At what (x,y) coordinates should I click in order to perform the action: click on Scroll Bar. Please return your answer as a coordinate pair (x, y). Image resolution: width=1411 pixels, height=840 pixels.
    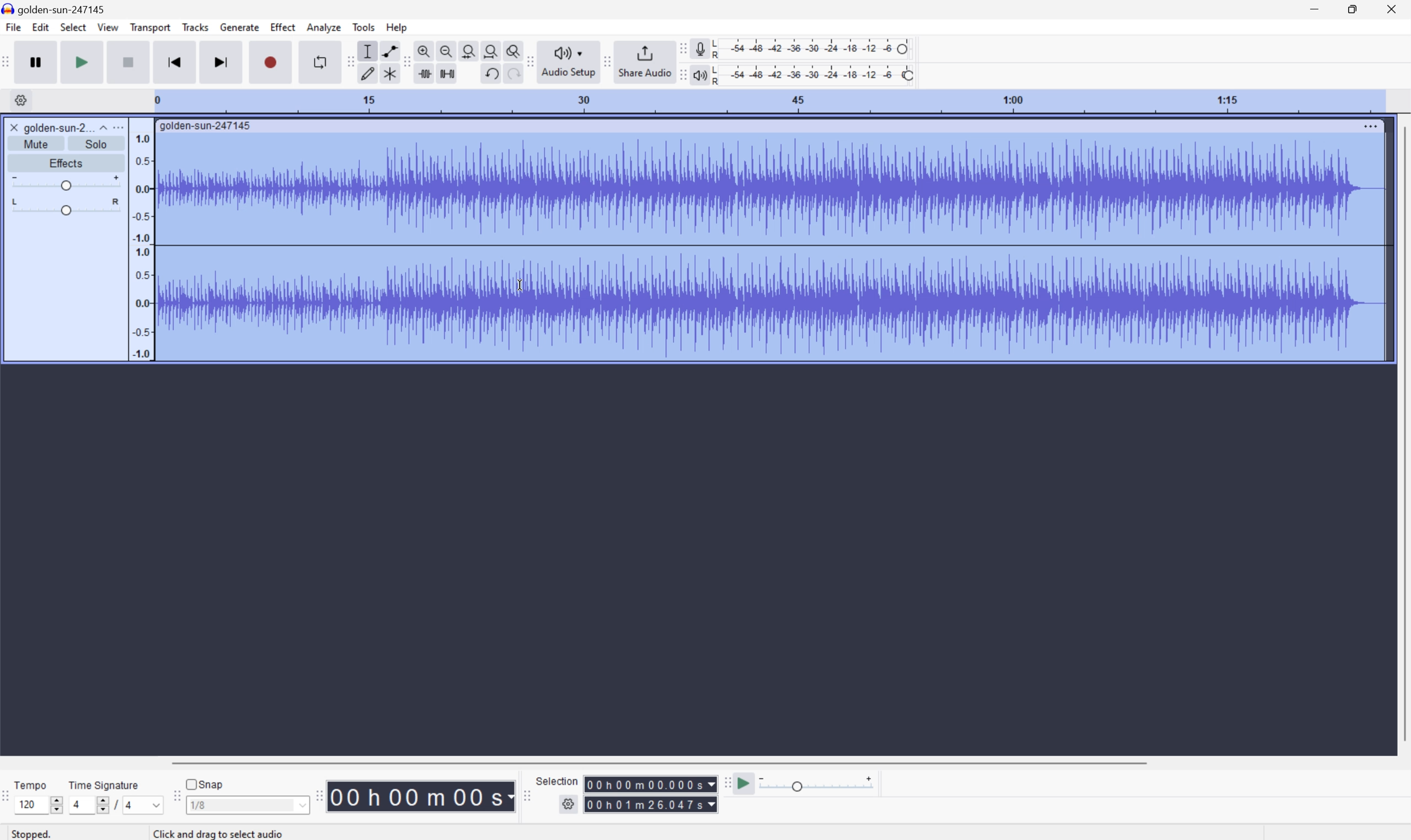
    Looking at the image, I should click on (659, 762).